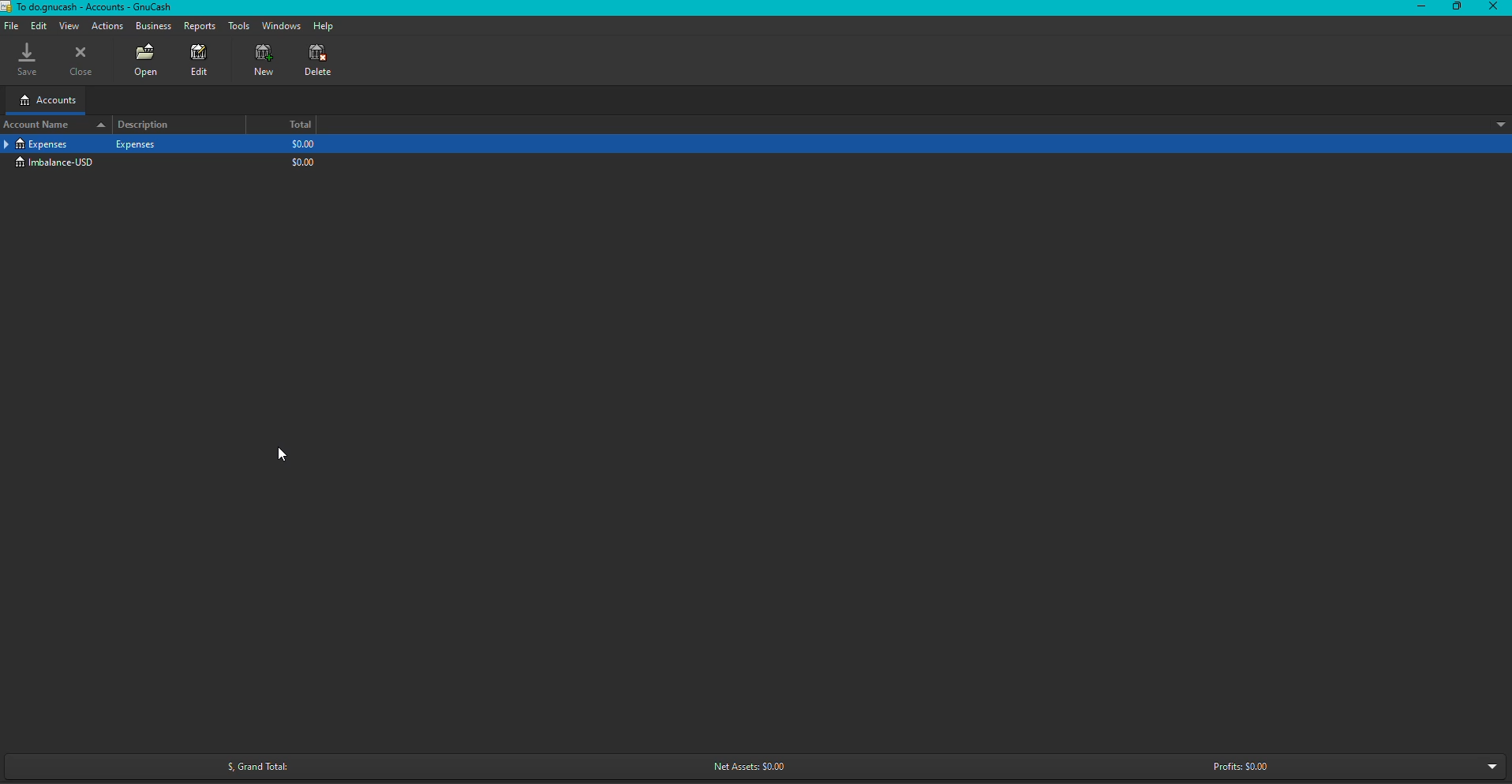  Describe the element at coordinates (302, 155) in the screenshot. I see `$0` at that location.